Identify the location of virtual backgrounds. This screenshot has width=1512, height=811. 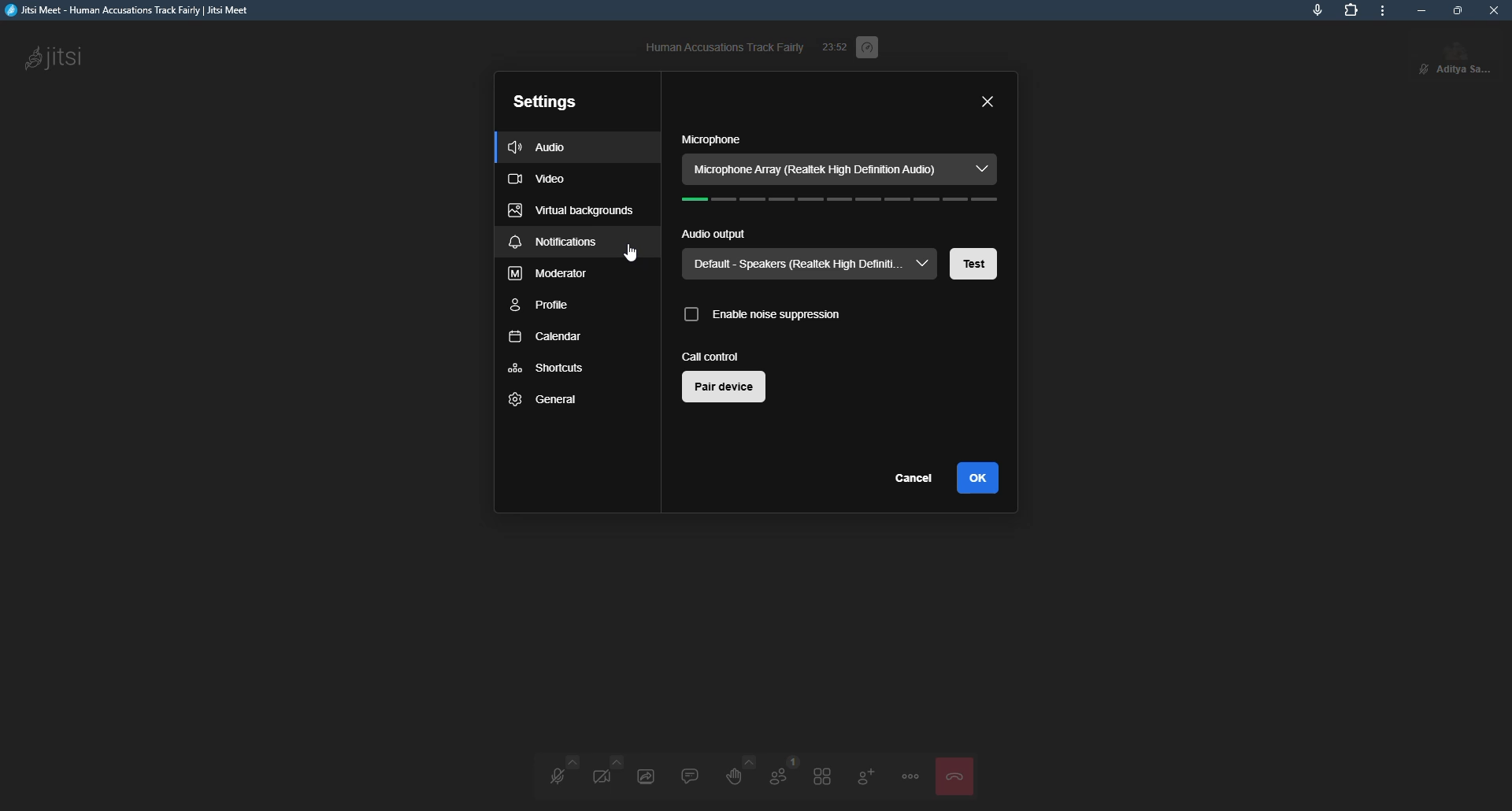
(572, 210).